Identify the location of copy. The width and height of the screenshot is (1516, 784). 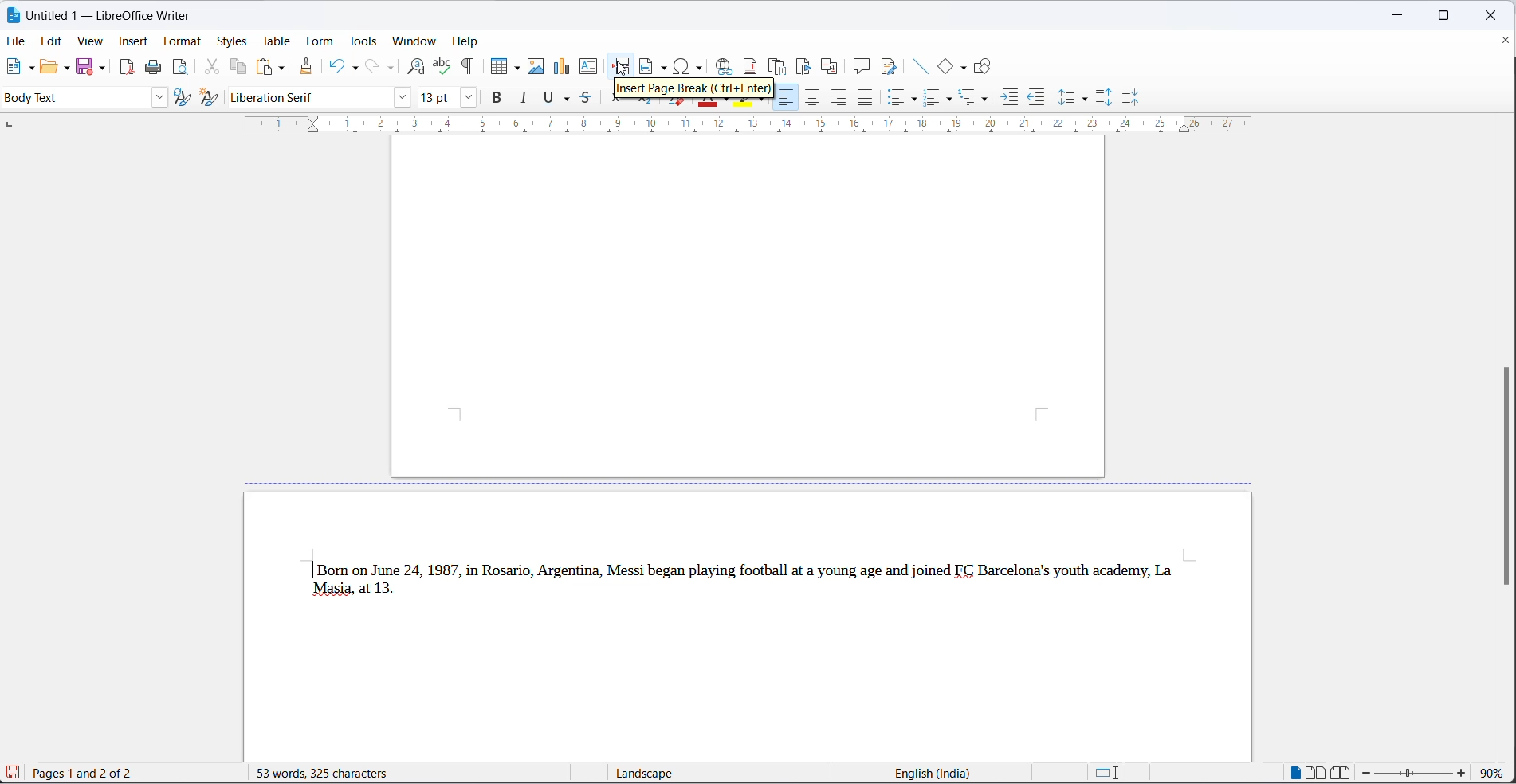
(238, 68).